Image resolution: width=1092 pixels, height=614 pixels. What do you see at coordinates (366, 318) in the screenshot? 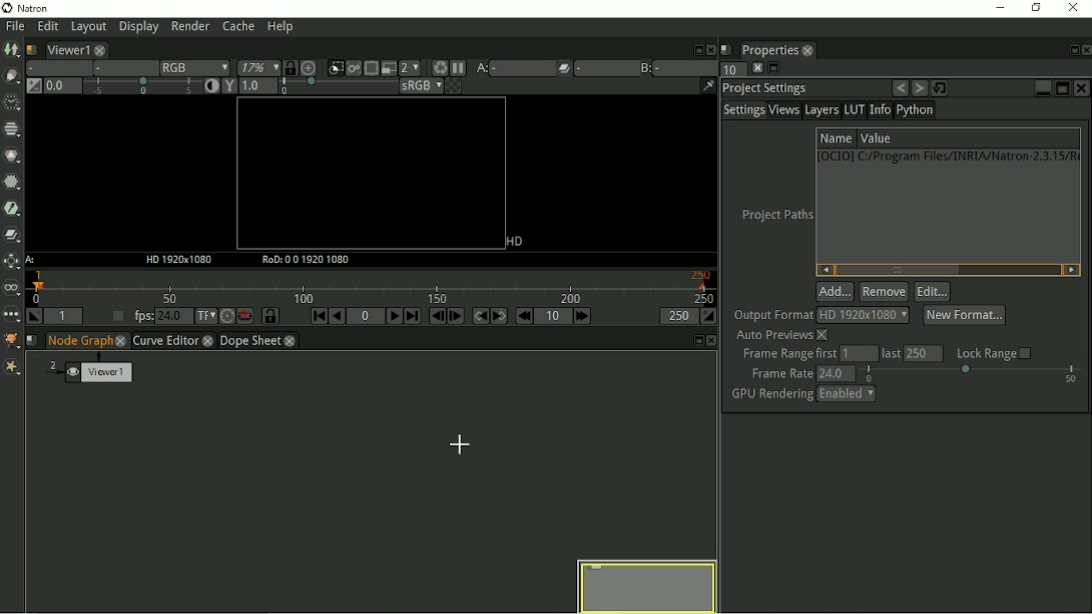
I see `Current frame` at bounding box center [366, 318].